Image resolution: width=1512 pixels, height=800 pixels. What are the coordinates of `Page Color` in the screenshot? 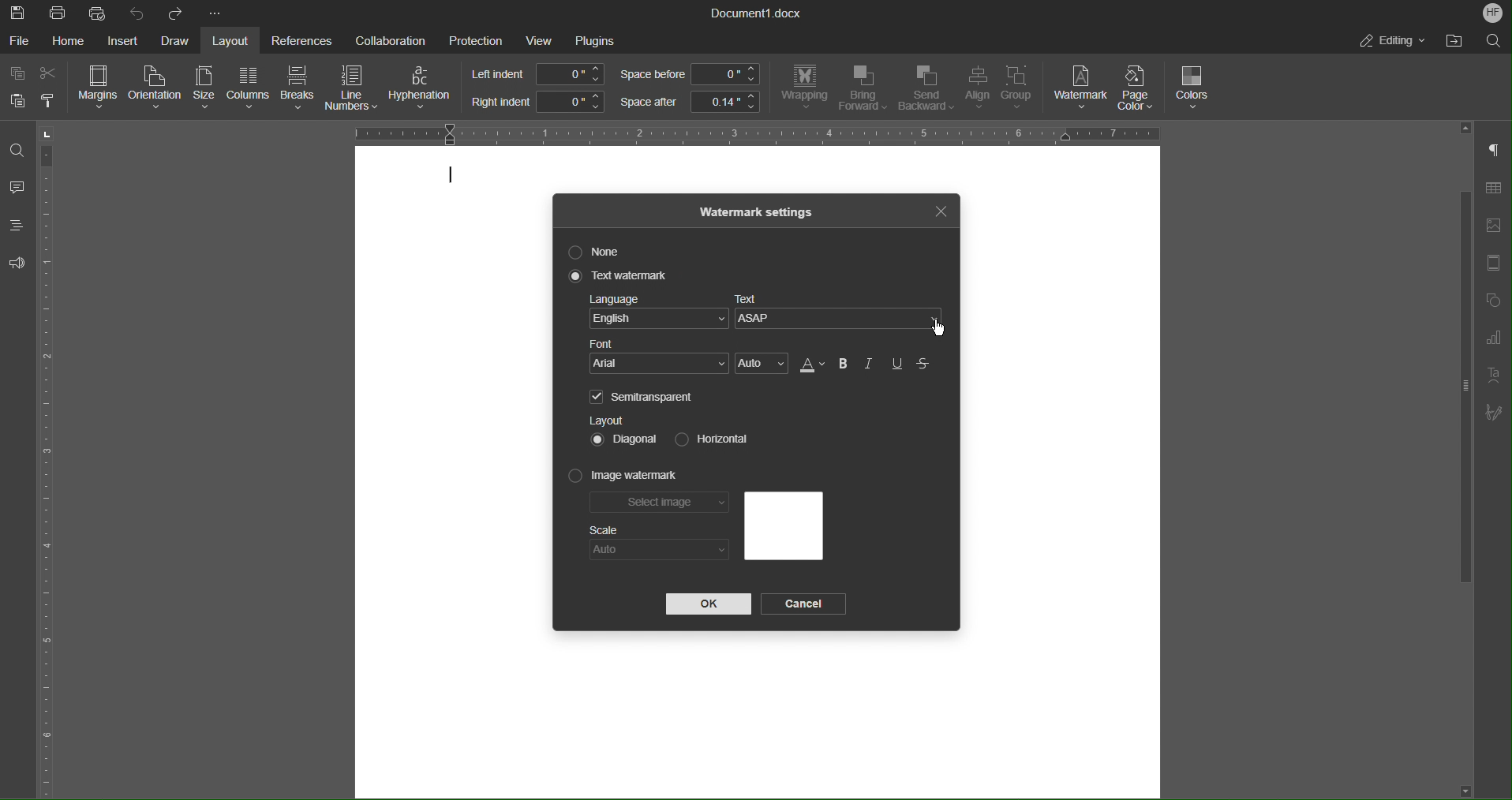 It's located at (1141, 88).